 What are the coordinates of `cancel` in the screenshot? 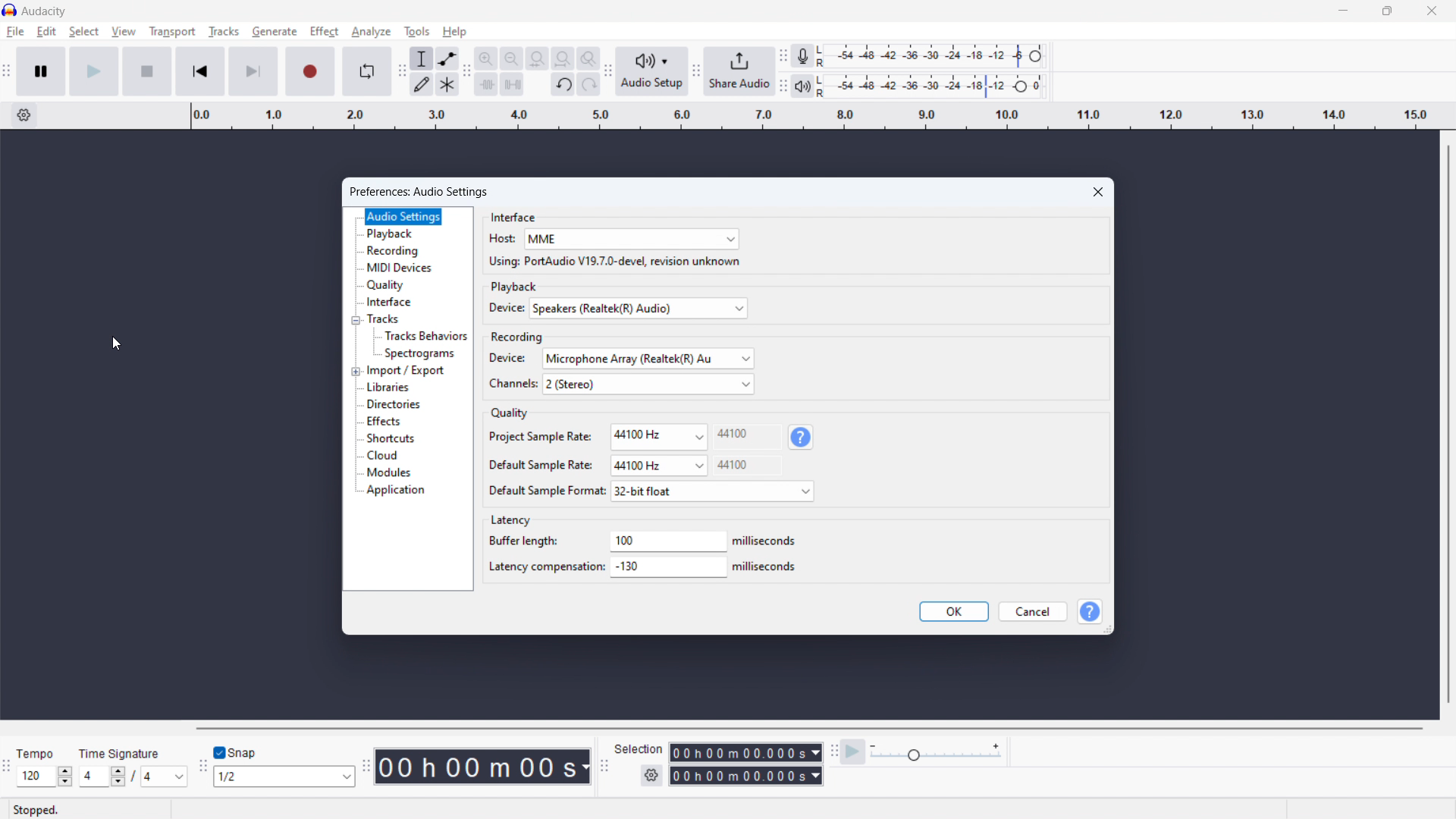 It's located at (1034, 611).